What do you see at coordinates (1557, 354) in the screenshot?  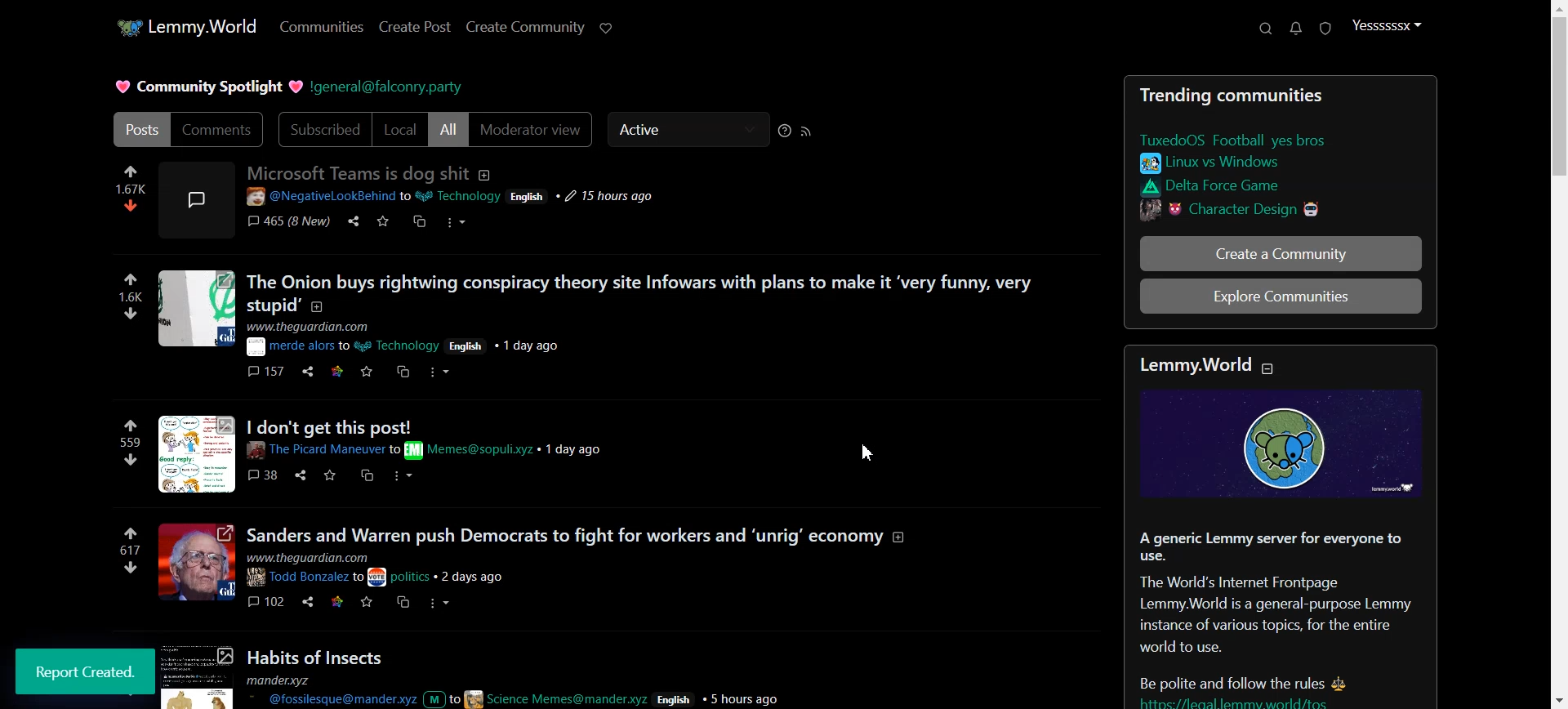 I see `Vertical scroll bar` at bounding box center [1557, 354].